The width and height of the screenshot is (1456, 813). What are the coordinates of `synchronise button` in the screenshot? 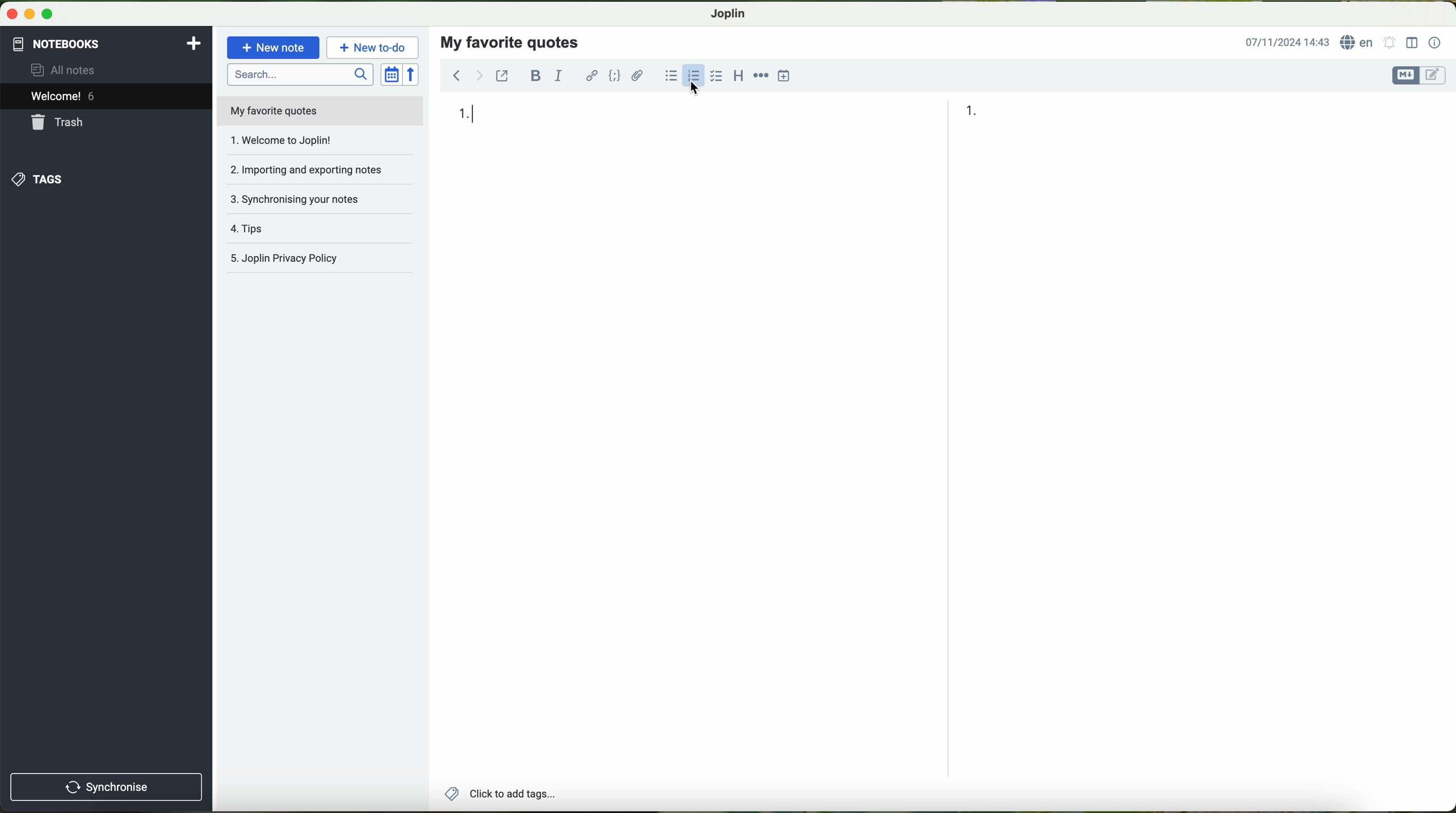 It's located at (107, 788).